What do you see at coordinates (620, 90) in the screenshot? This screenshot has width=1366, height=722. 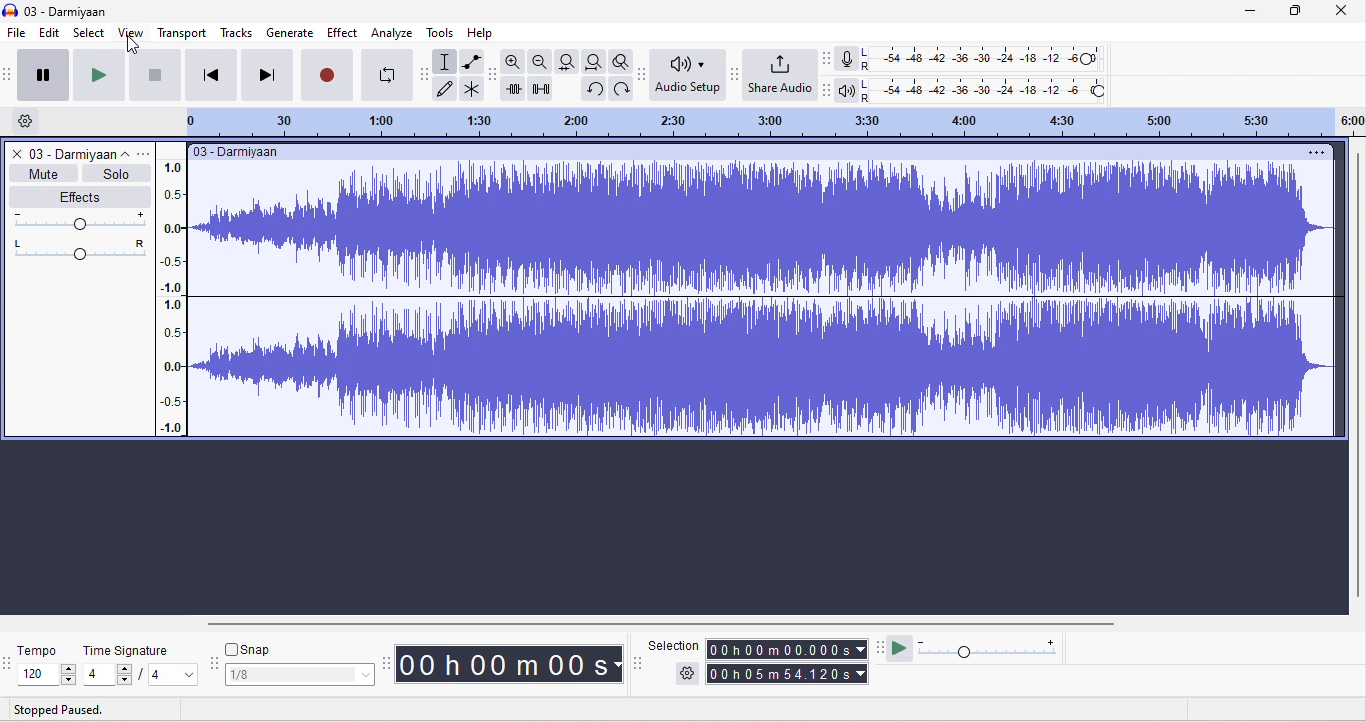 I see `undo` at bounding box center [620, 90].